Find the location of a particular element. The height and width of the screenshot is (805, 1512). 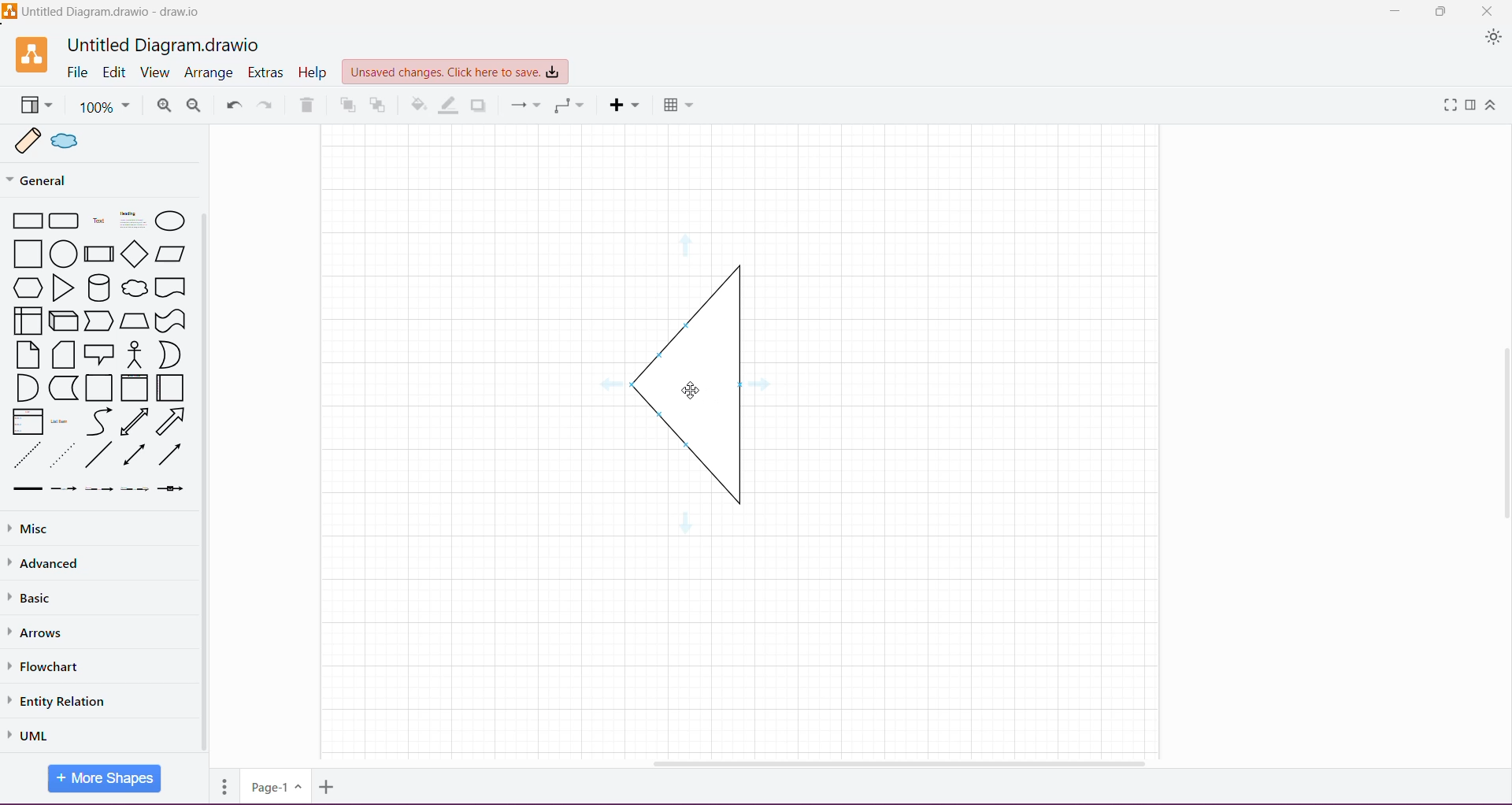

Format is located at coordinates (1470, 106).